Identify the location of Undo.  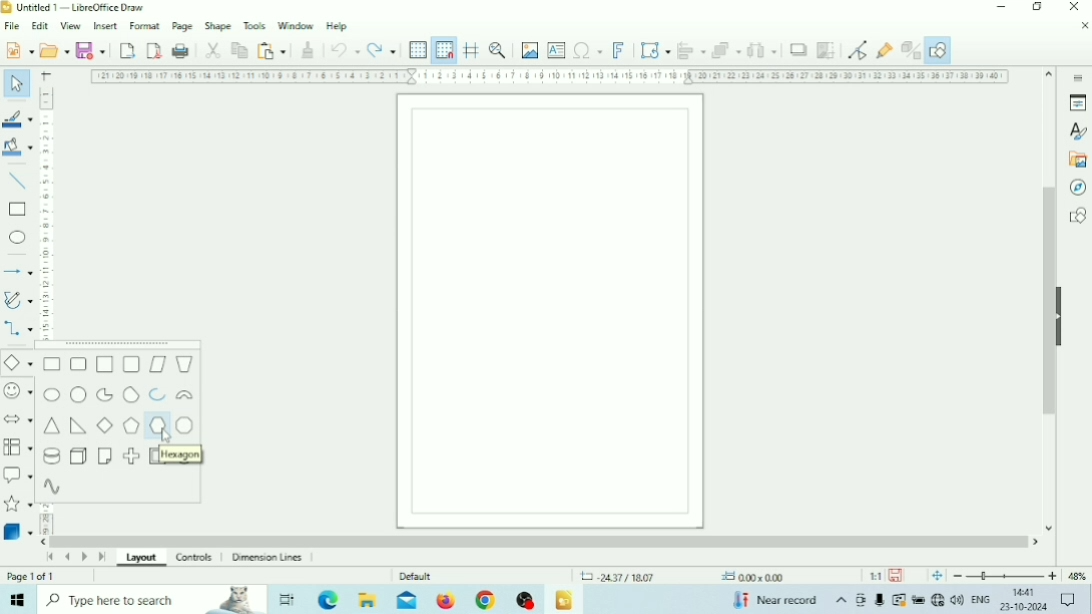
(345, 50).